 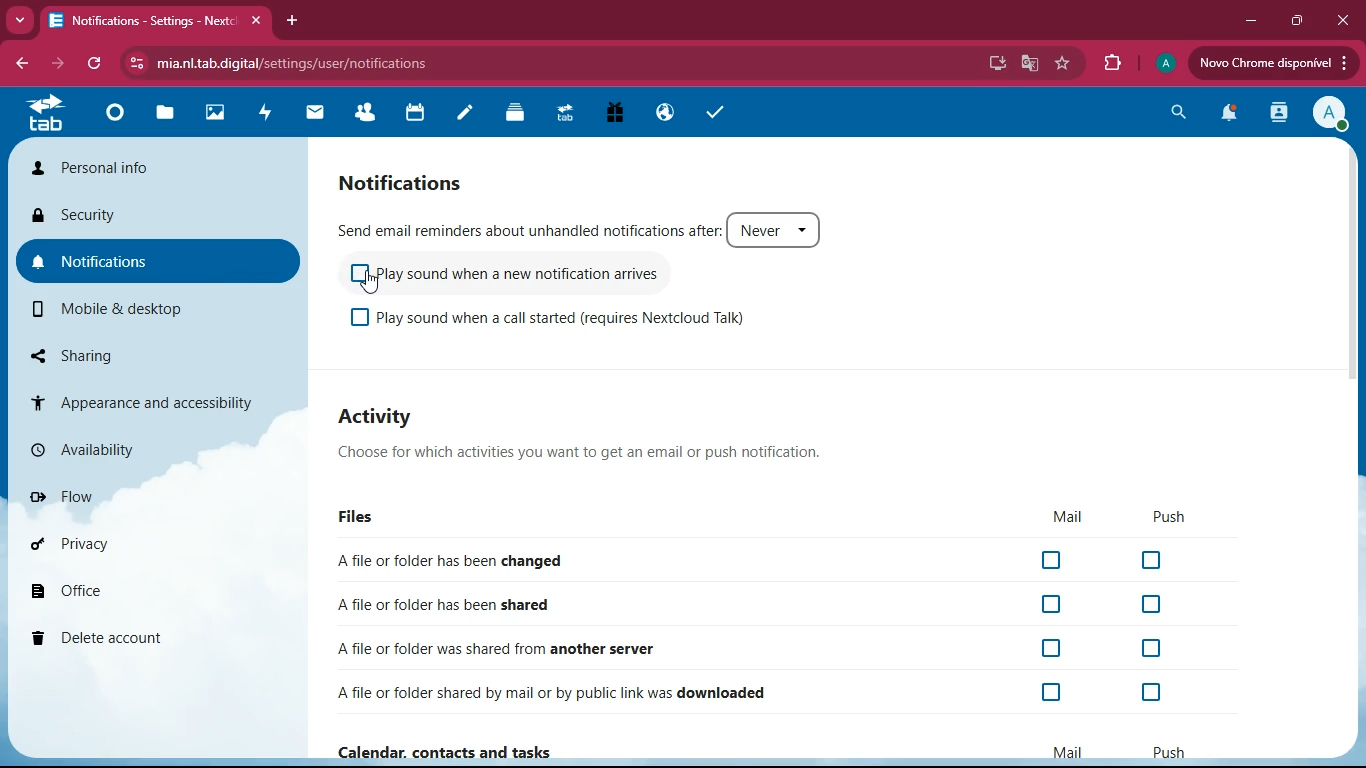 What do you see at coordinates (1174, 518) in the screenshot?
I see `push` at bounding box center [1174, 518].